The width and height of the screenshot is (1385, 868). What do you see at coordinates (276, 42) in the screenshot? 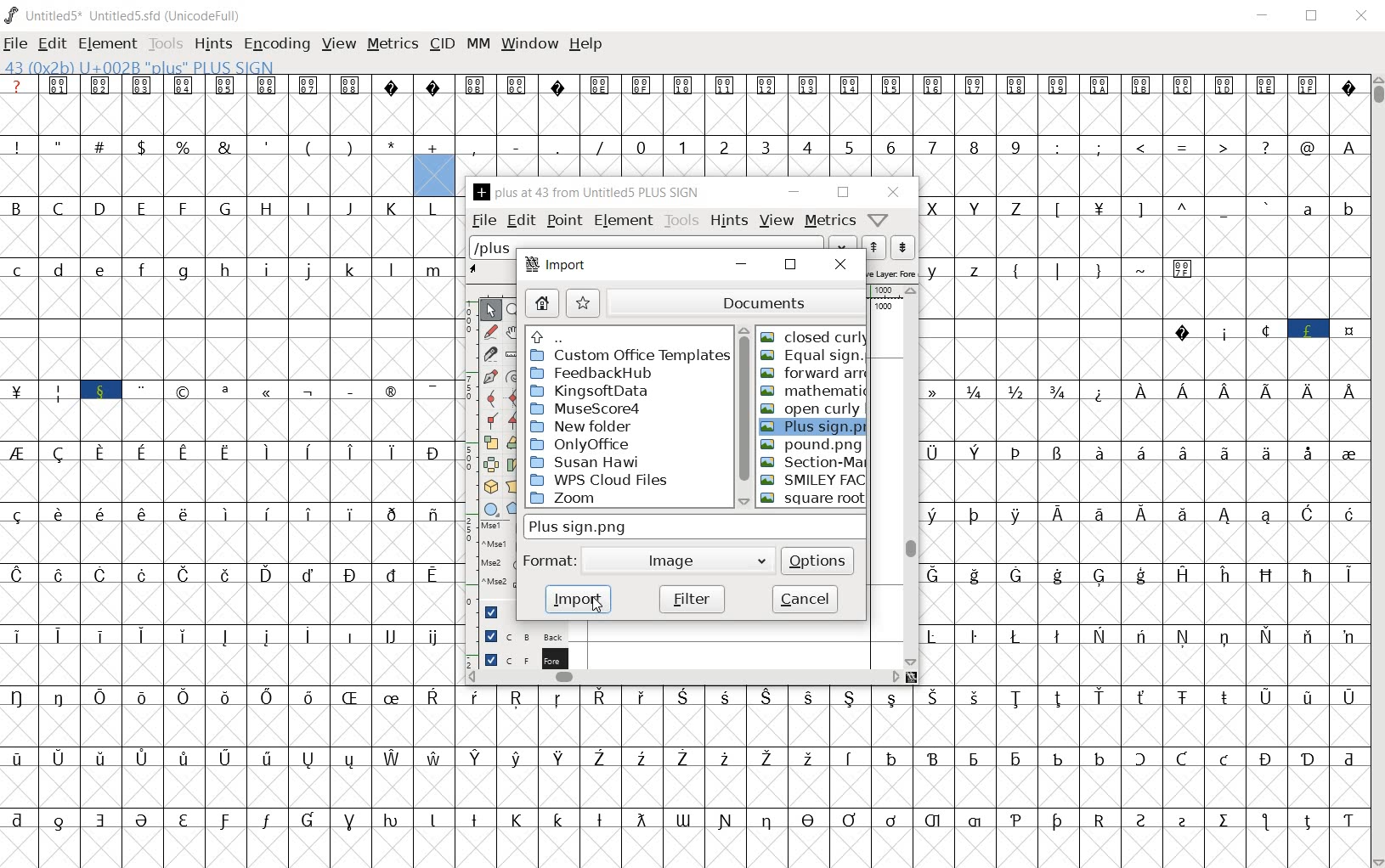
I see `encoding` at bounding box center [276, 42].